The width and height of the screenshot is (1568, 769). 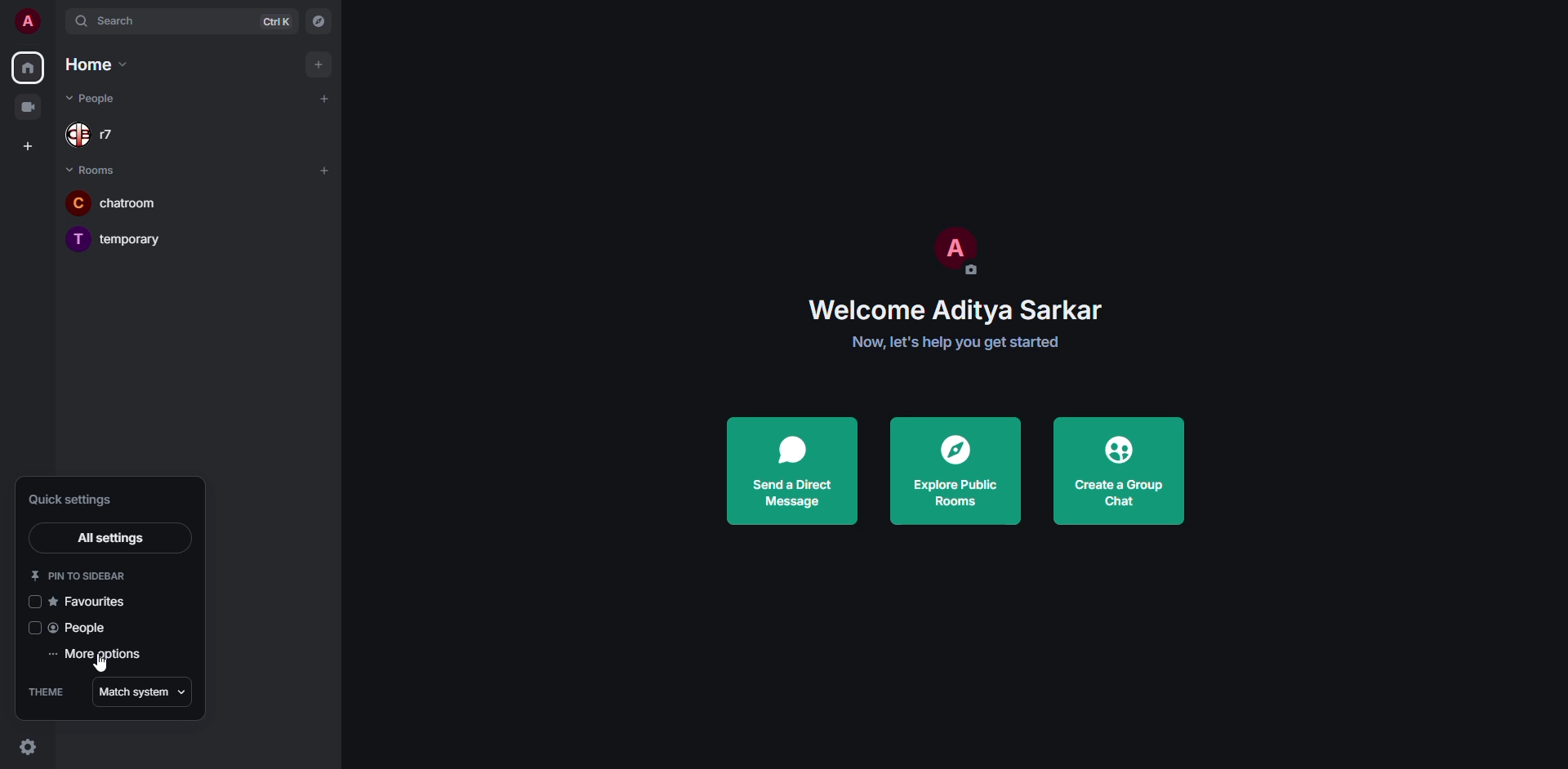 What do you see at coordinates (113, 538) in the screenshot?
I see `all settings` at bounding box center [113, 538].